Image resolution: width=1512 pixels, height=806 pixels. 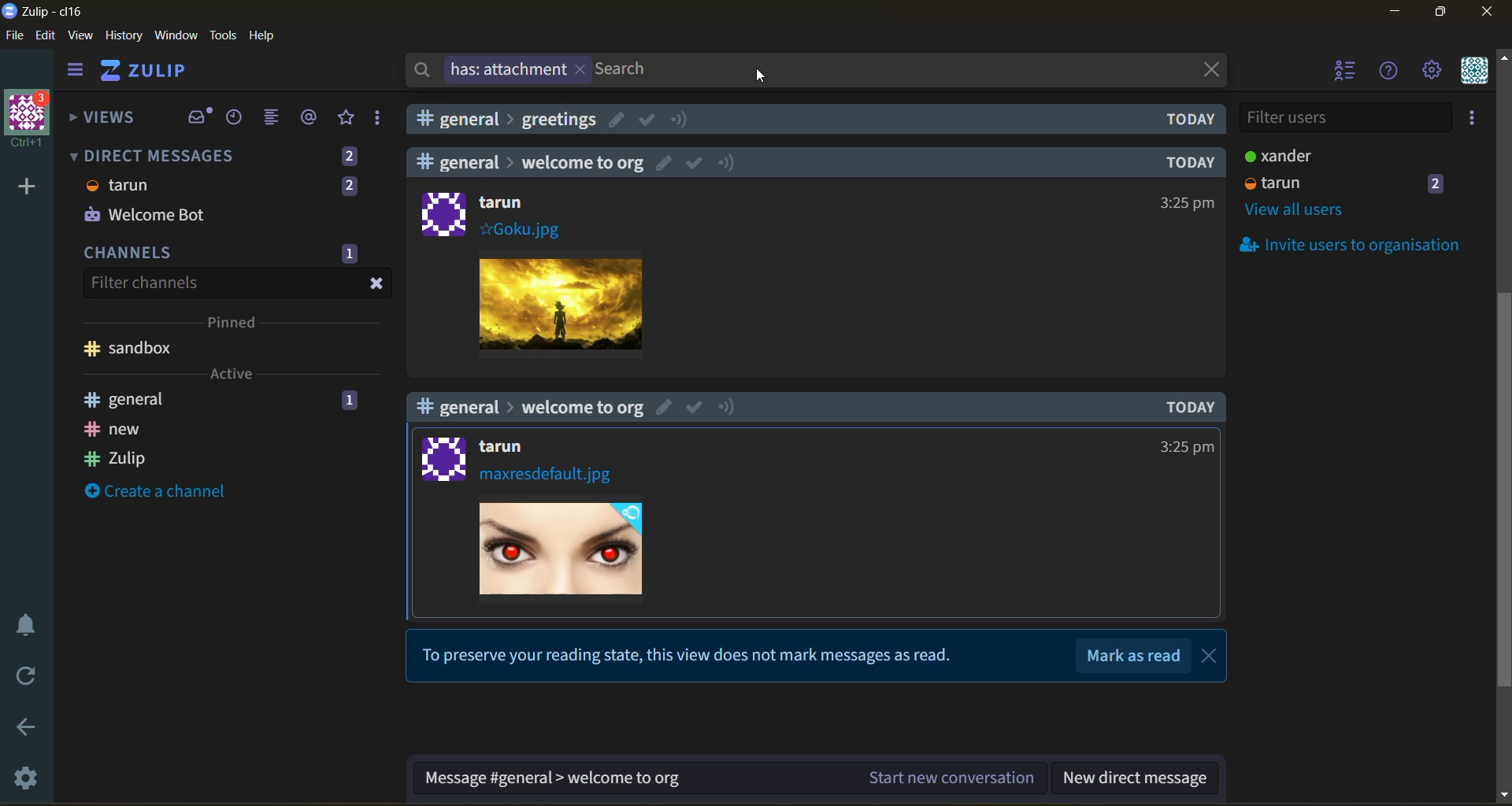 I want to click on settings, so click(x=31, y=775).